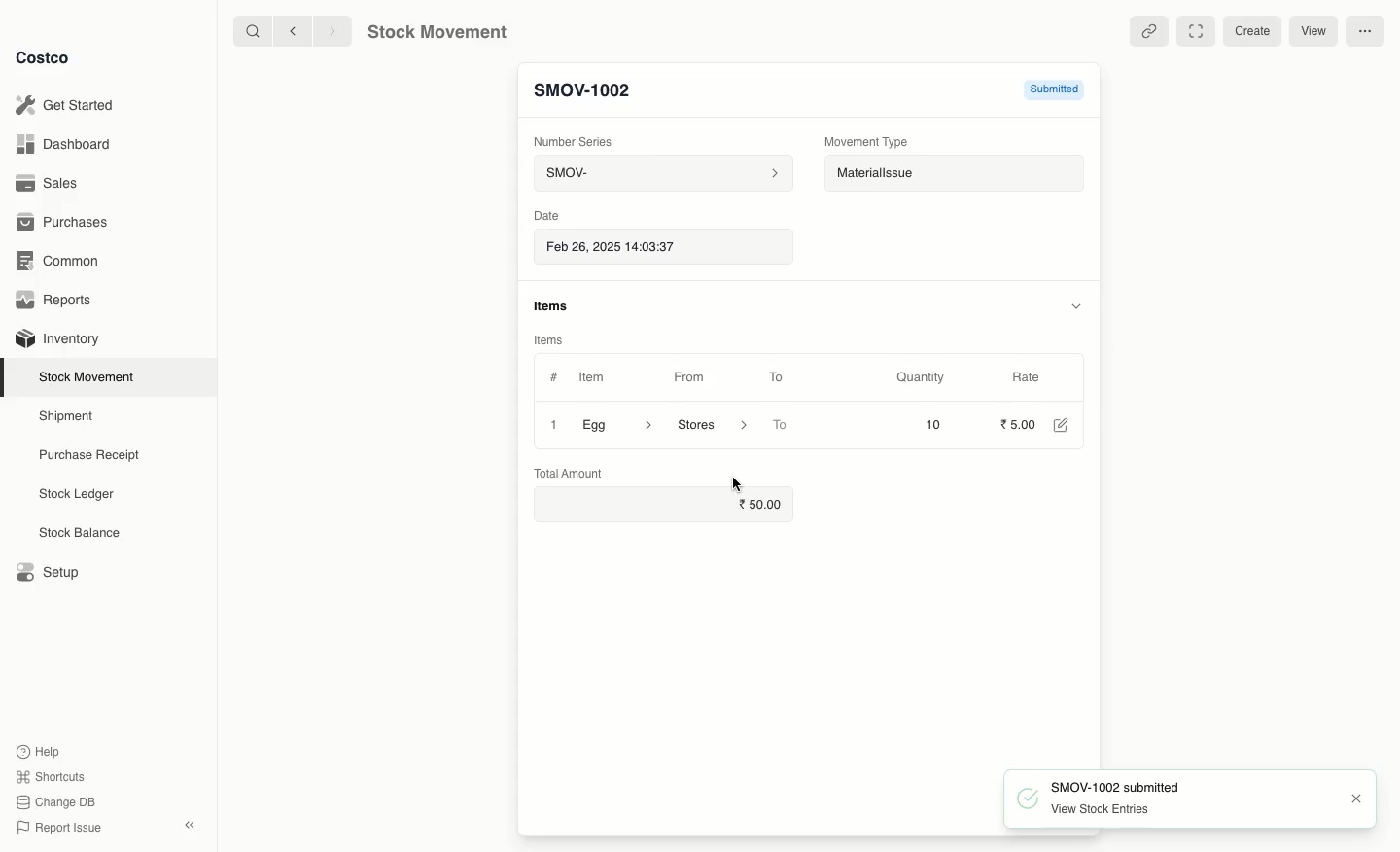  I want to click on close, so click(1352, 804).